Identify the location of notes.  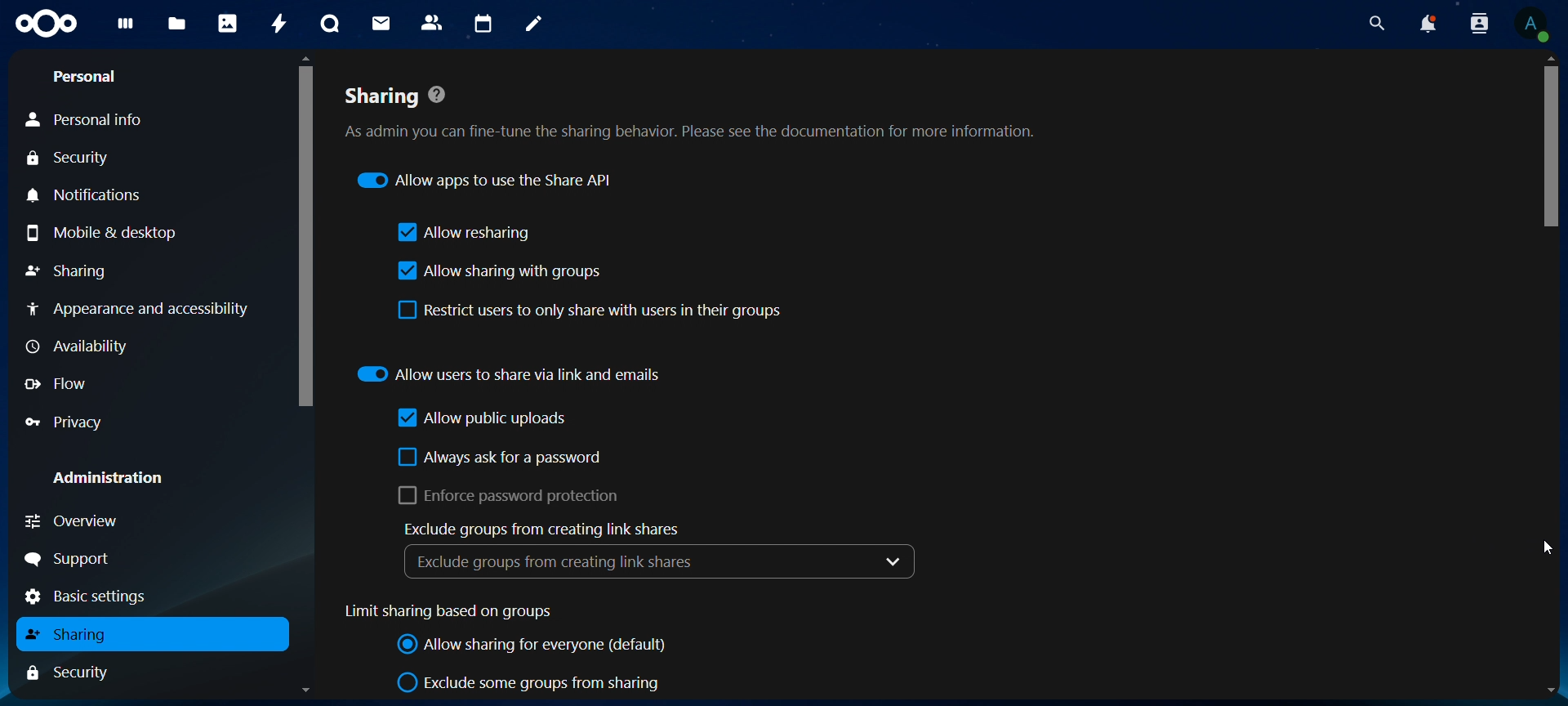
(533, 24).